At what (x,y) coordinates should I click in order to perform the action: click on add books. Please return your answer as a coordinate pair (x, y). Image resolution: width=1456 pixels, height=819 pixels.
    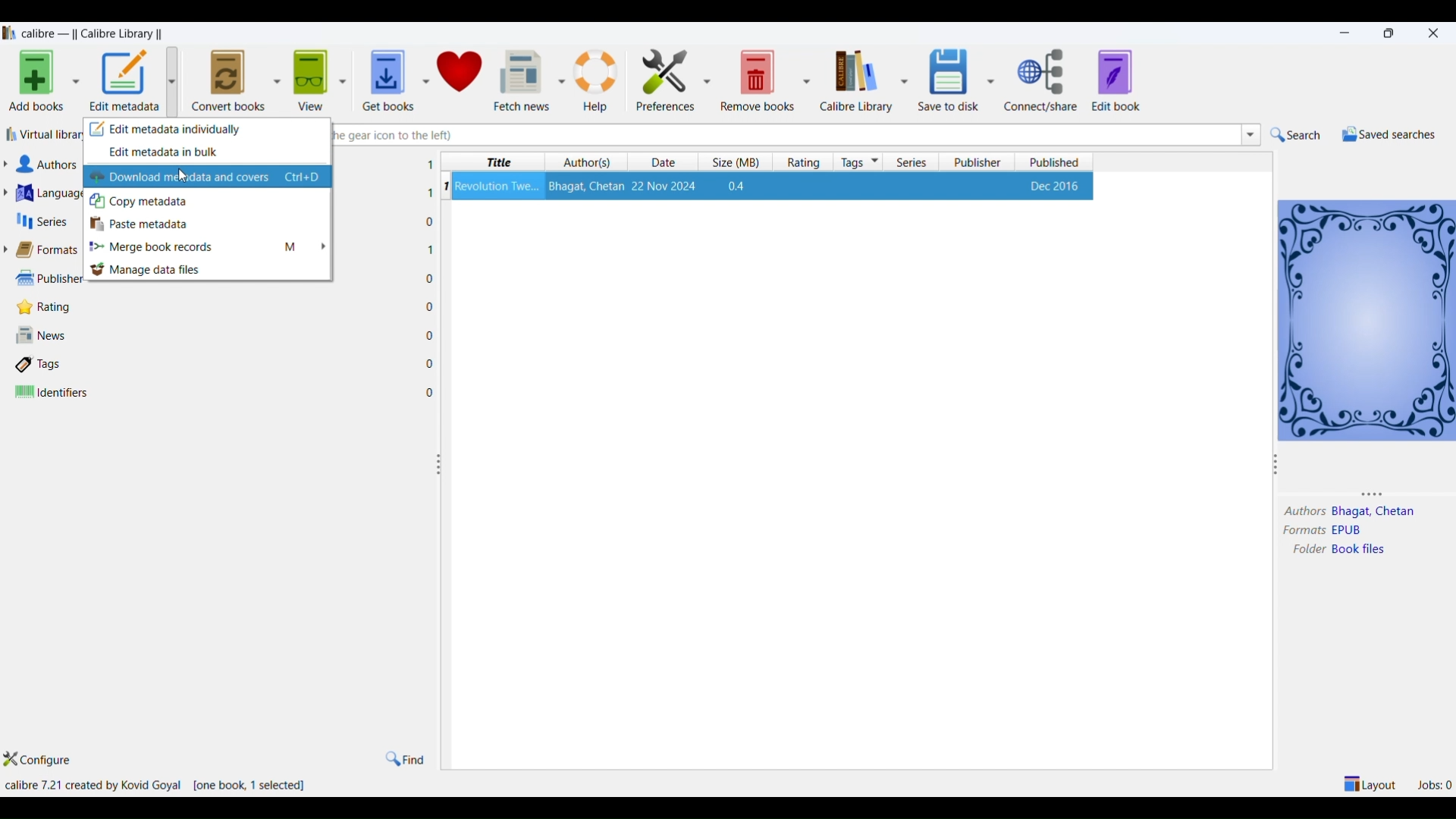
    Looking at the image, I should click on (33, 83).